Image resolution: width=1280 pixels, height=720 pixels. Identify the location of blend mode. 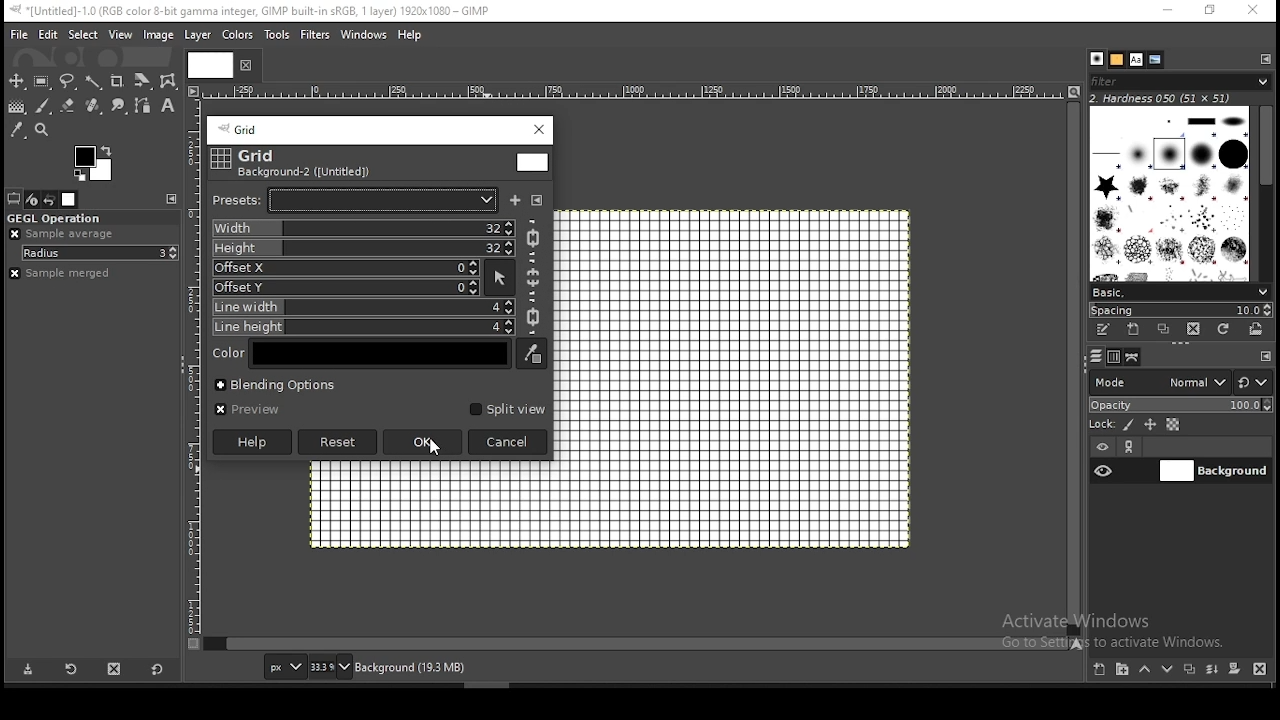
(1180, 382).